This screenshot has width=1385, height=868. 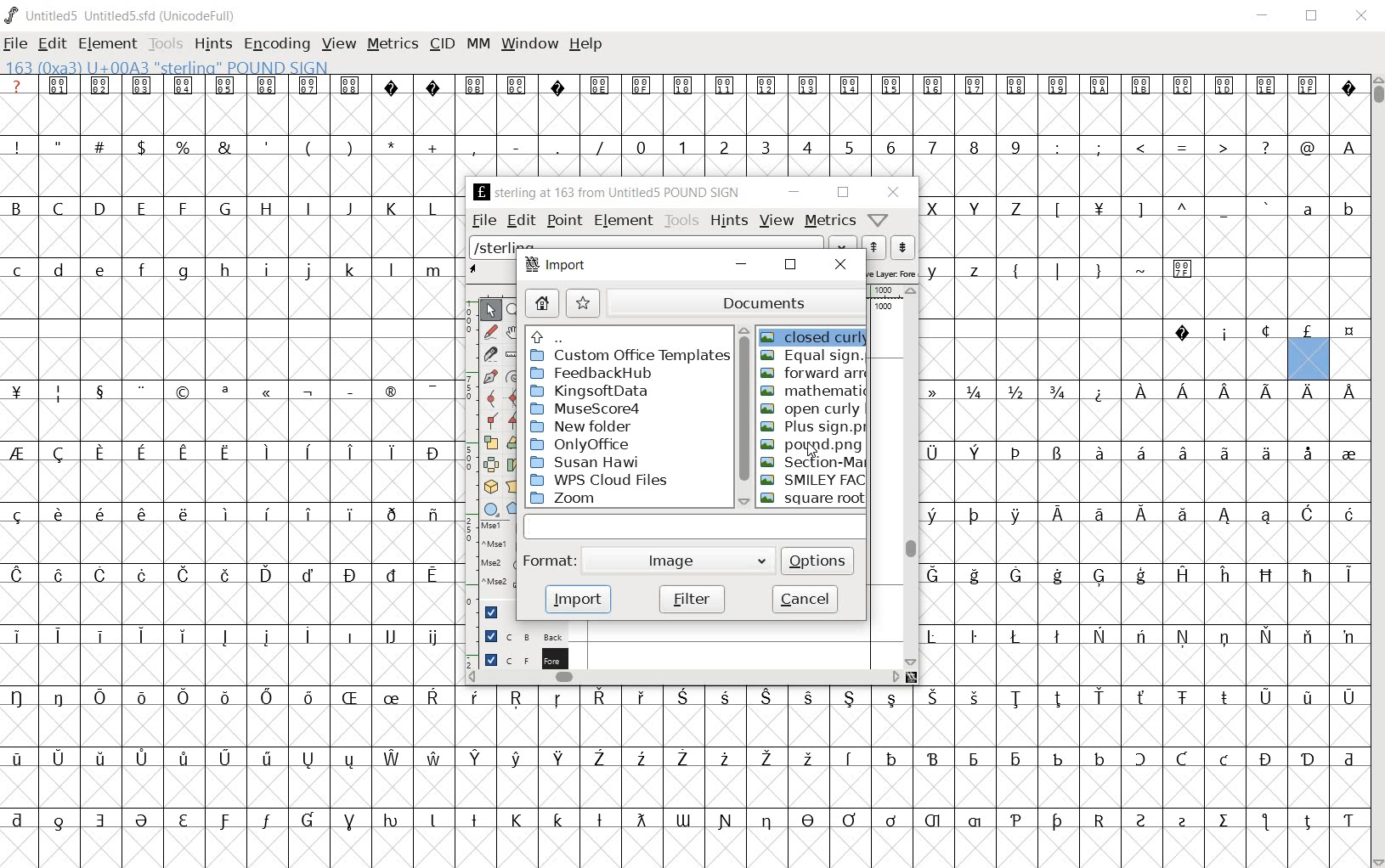 What do you see at coordinates (349, 515) in the screenshot?
I see `Symbol` at bounding box center [349, 515].